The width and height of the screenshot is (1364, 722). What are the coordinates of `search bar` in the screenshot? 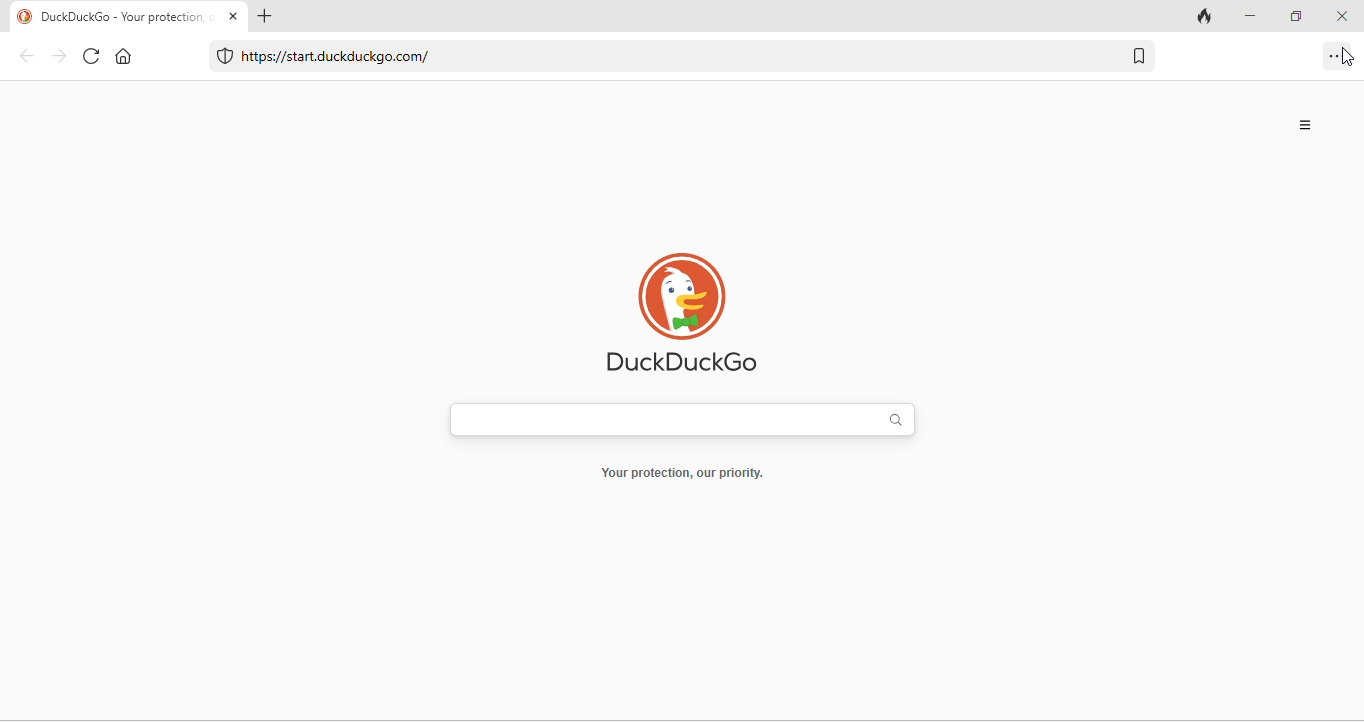 It's located at (679, 420).